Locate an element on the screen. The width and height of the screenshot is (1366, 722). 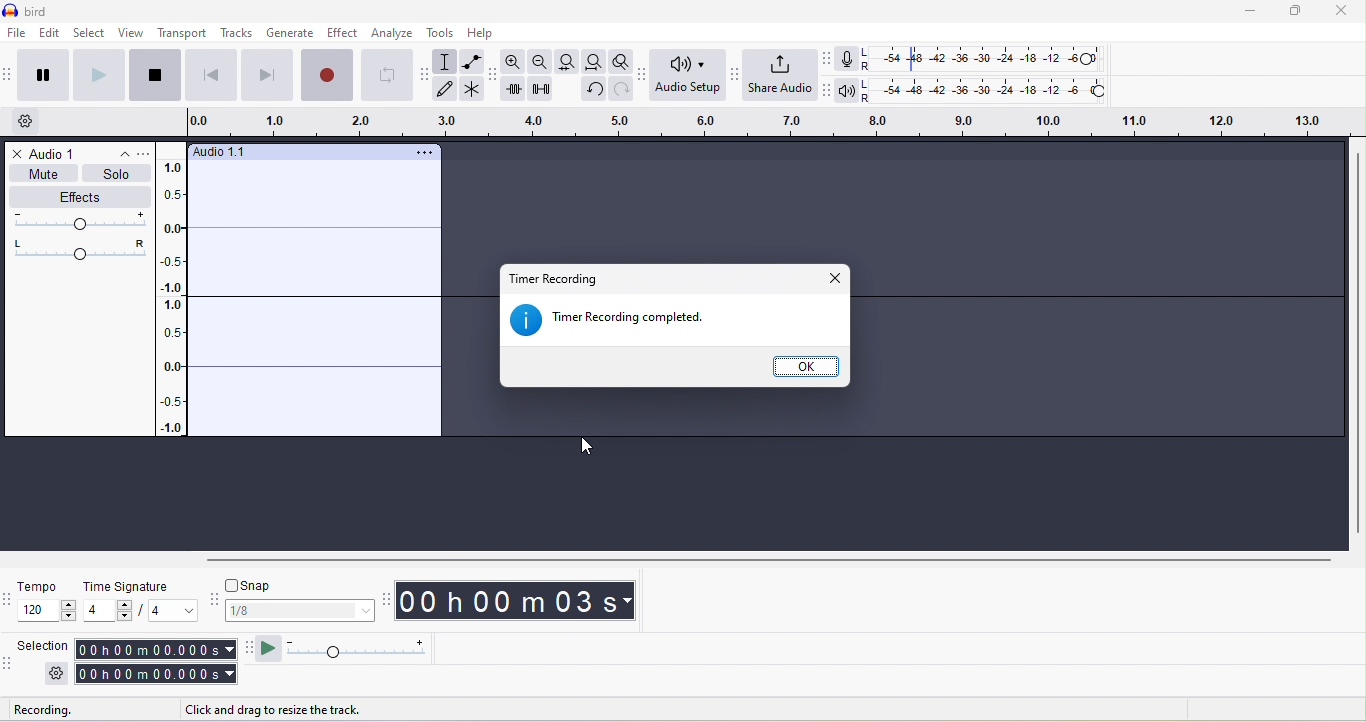
audacity play back meter toolbar is located at coordinates (823, 93).